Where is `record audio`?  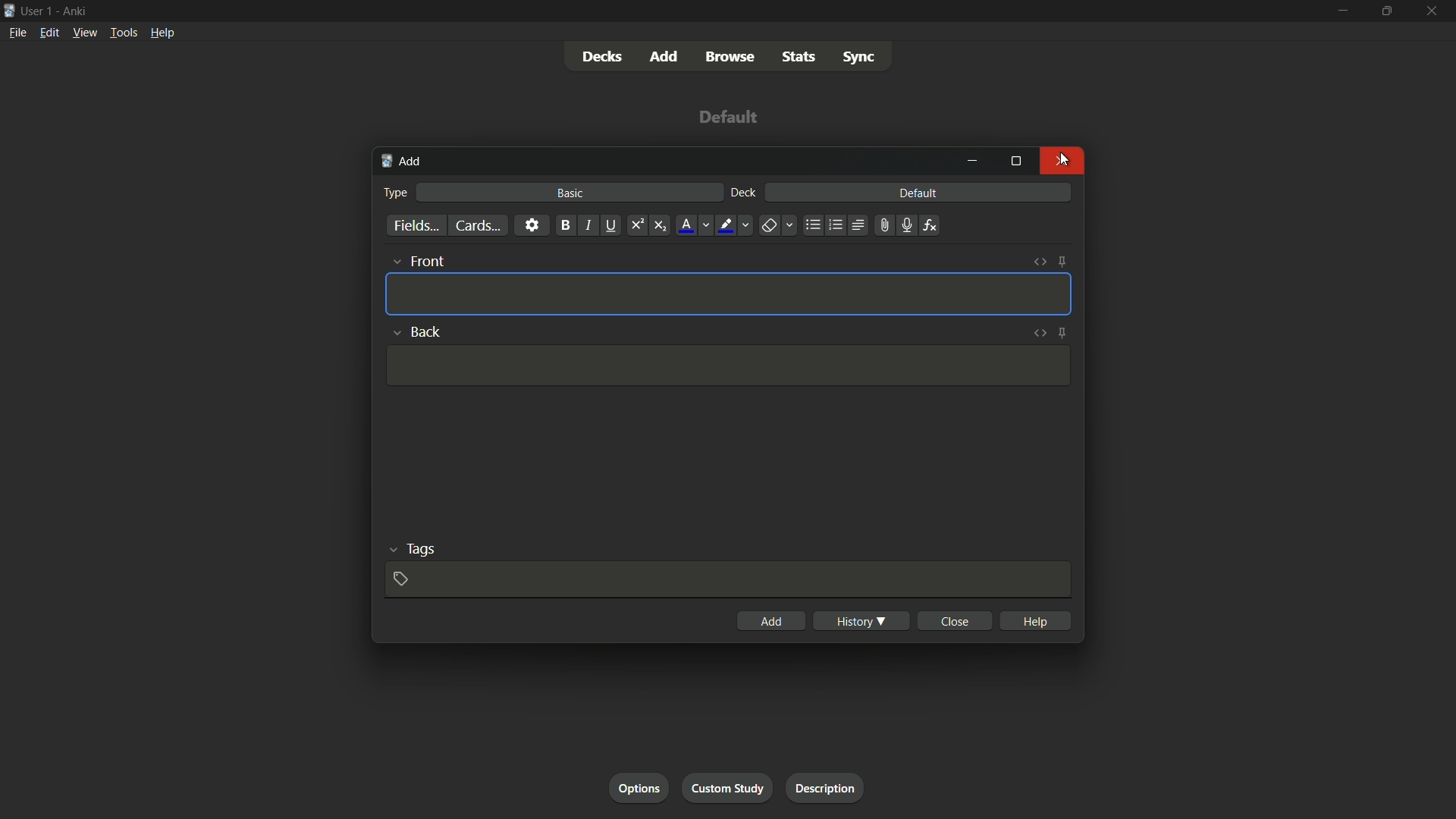
record audio is located at coordinates (908, 225).